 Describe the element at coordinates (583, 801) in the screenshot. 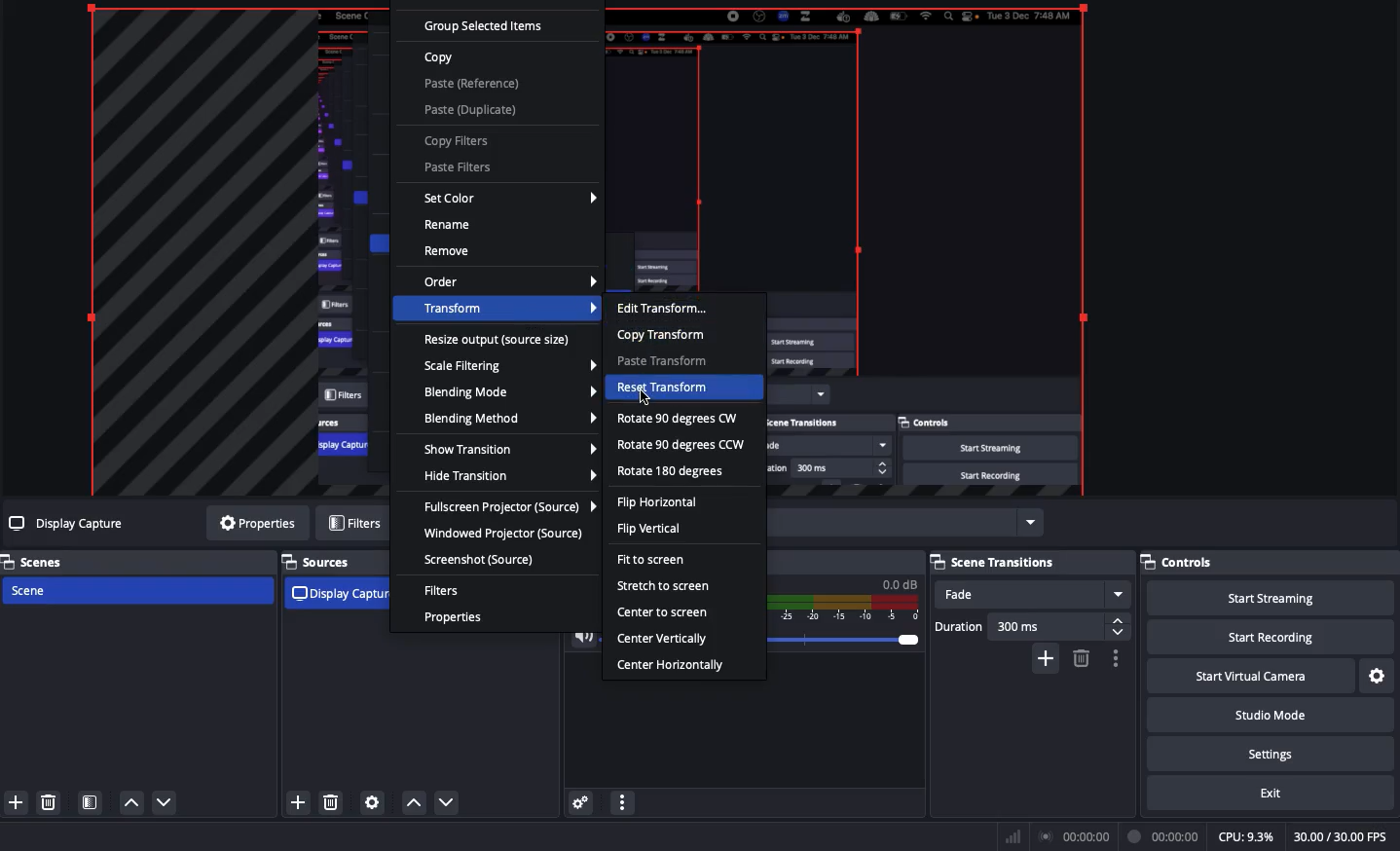

I see `Advanced audio properties` at that location.